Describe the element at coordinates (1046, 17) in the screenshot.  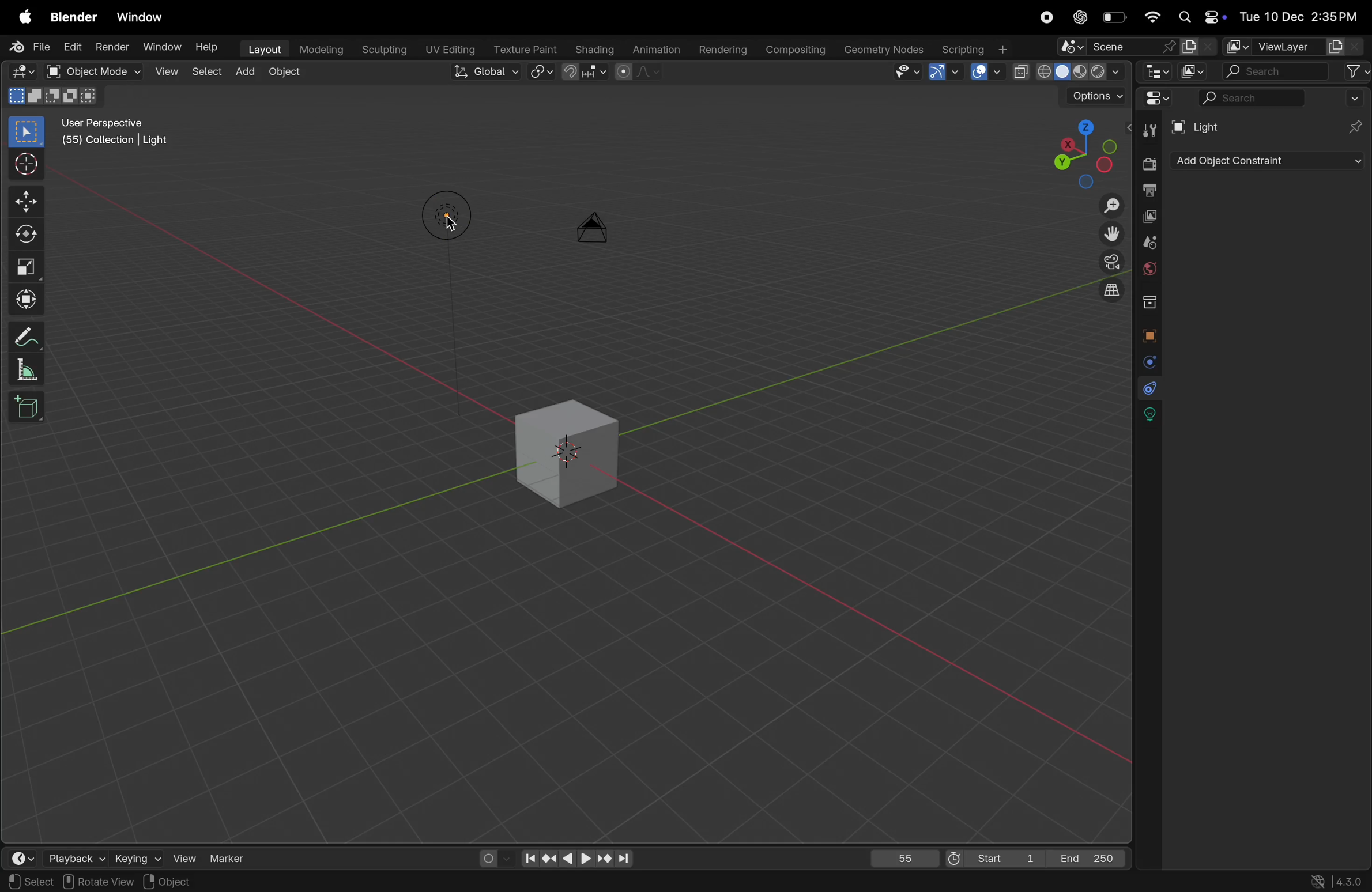
I see `record` at that location.